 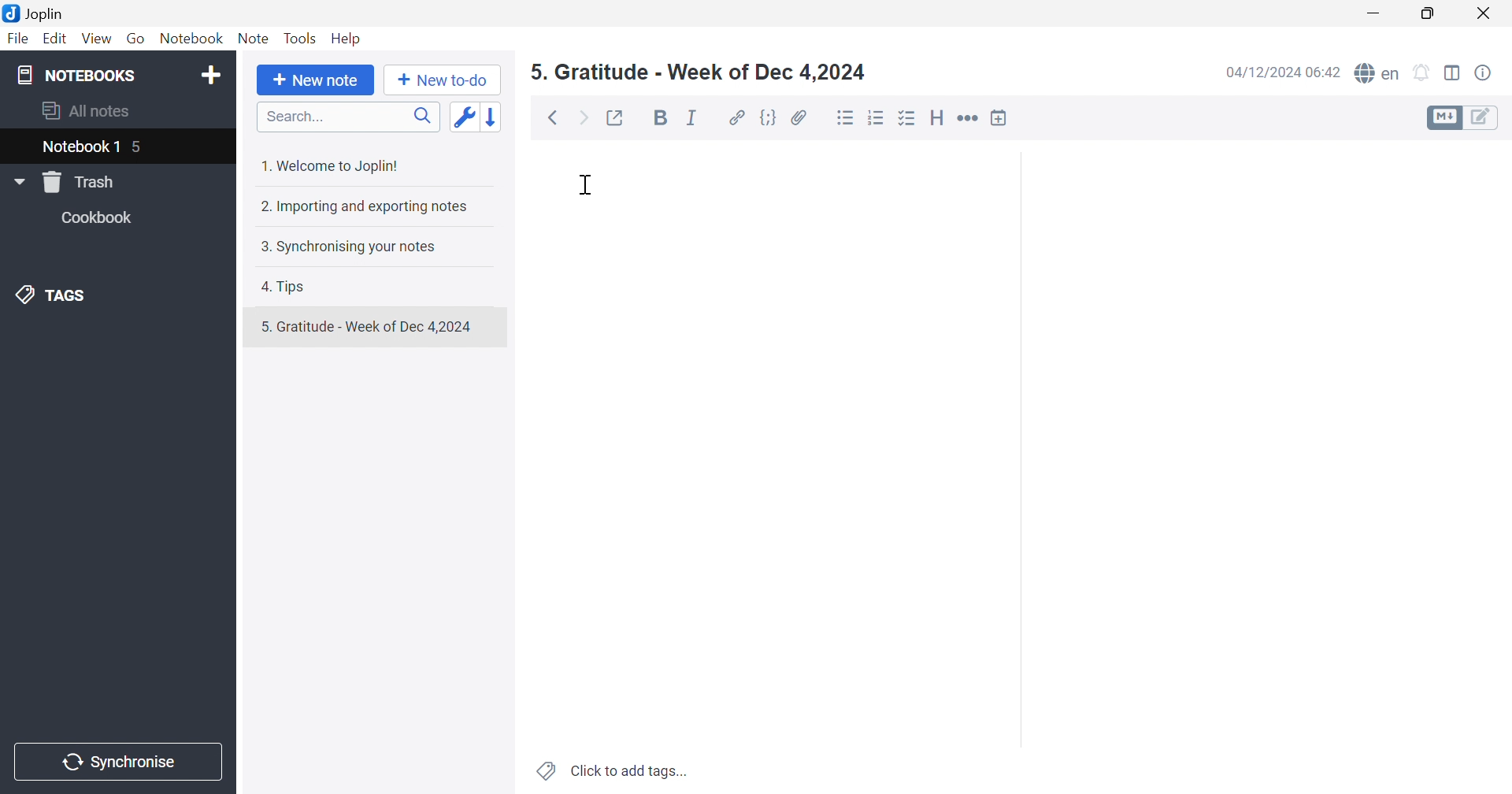 What do you see at coordinates (136, 38) in the screenshot?
I see `Go` at bounding box center [136, 38].